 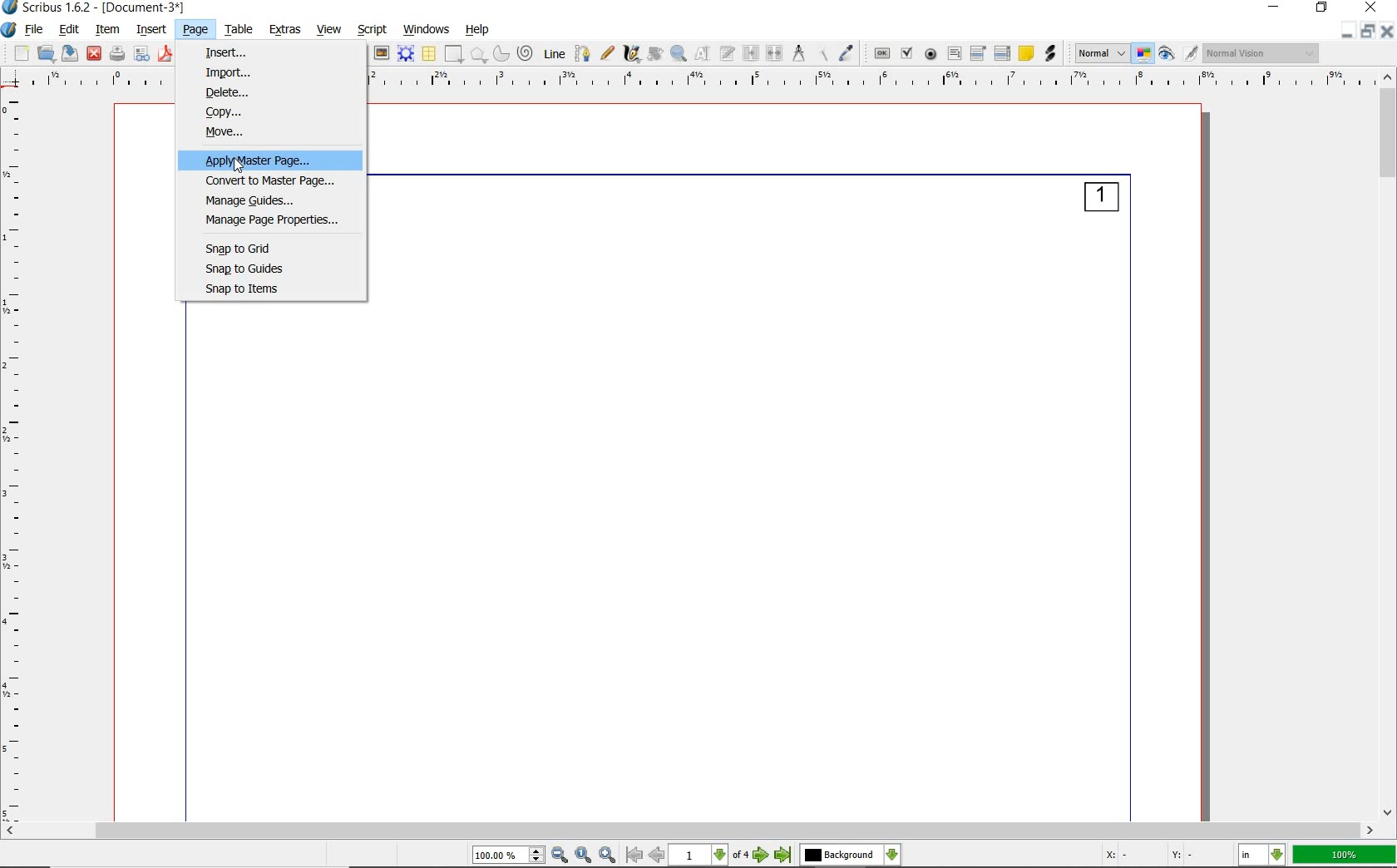 I want to click on toggle color management, so click(x=1145, y=53).